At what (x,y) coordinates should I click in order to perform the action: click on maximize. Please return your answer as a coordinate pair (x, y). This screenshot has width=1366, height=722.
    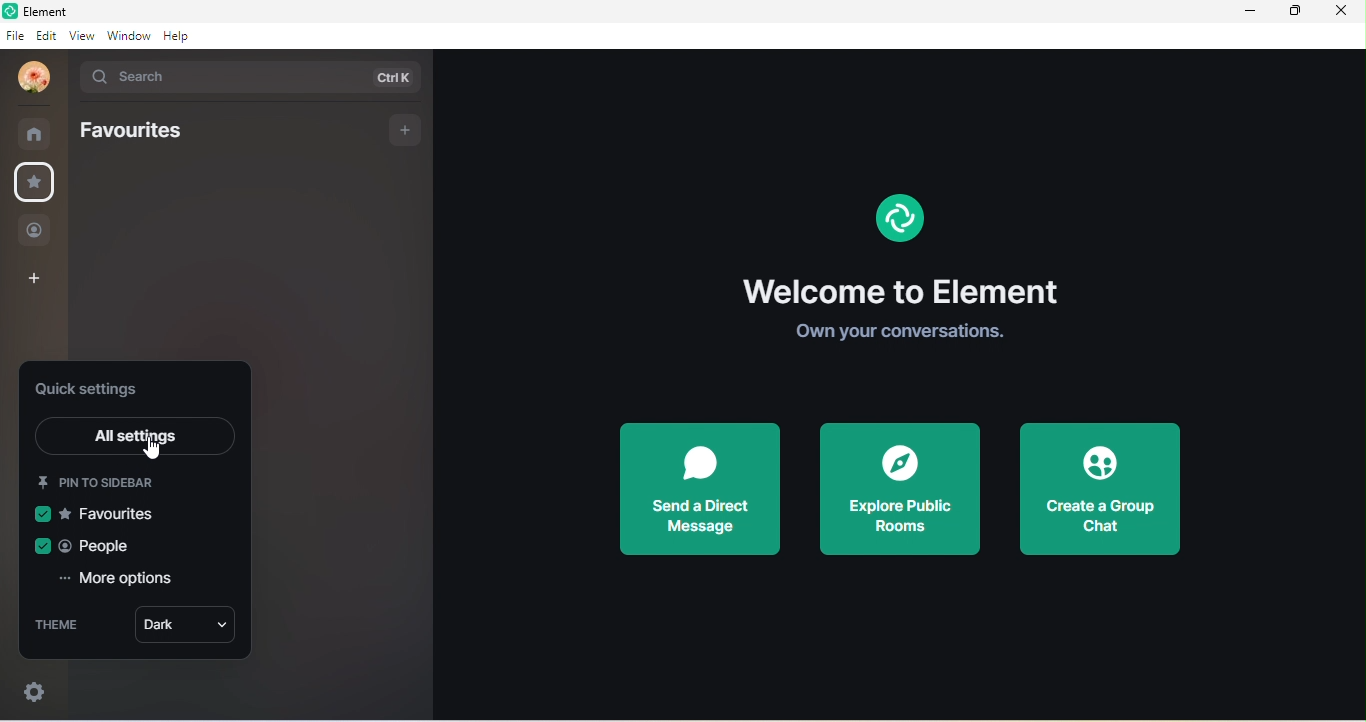
    Looking at the image, I should click on (1293, 13).